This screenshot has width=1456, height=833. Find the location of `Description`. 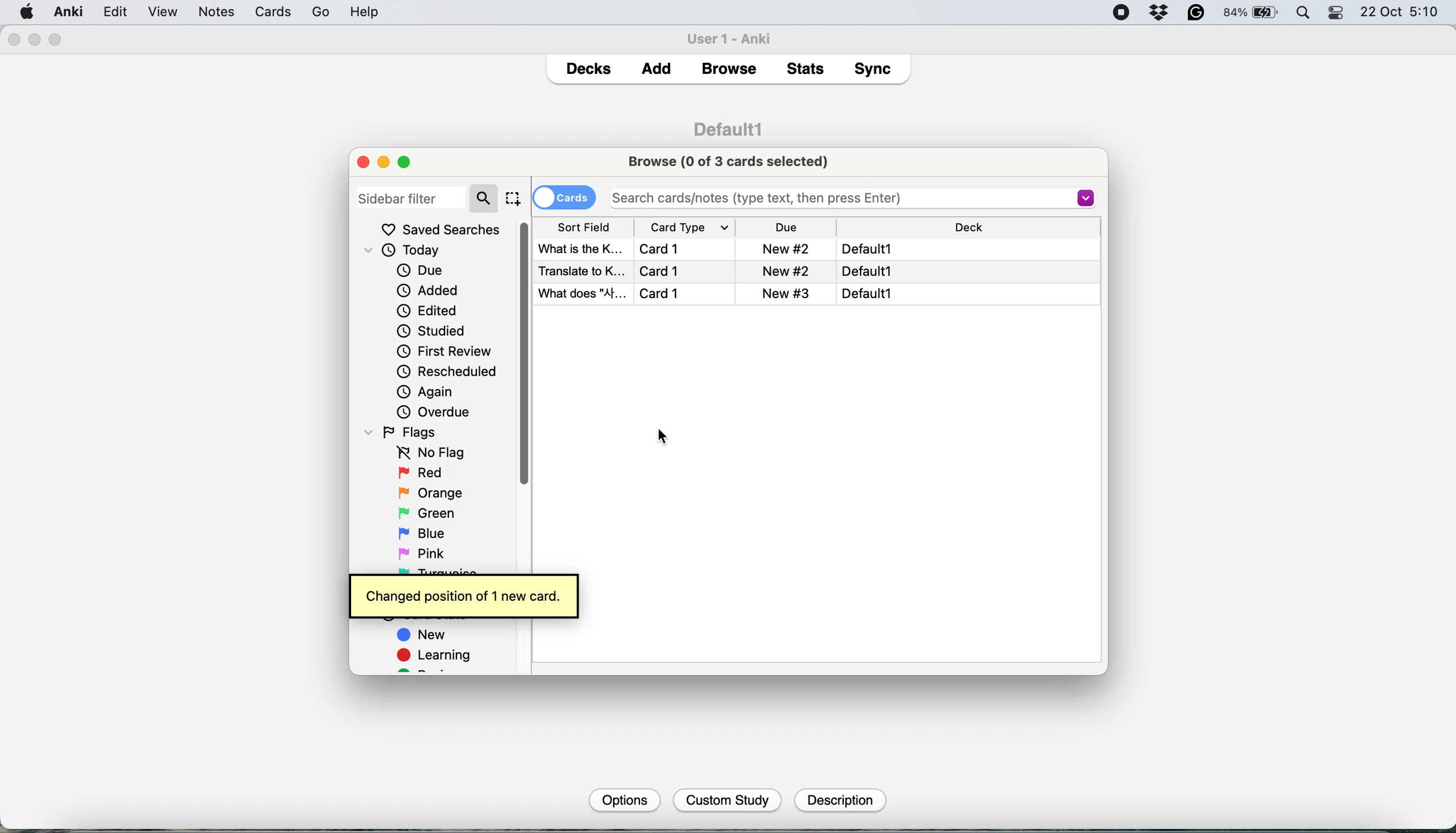

Description is located at coordinates (838, 800).